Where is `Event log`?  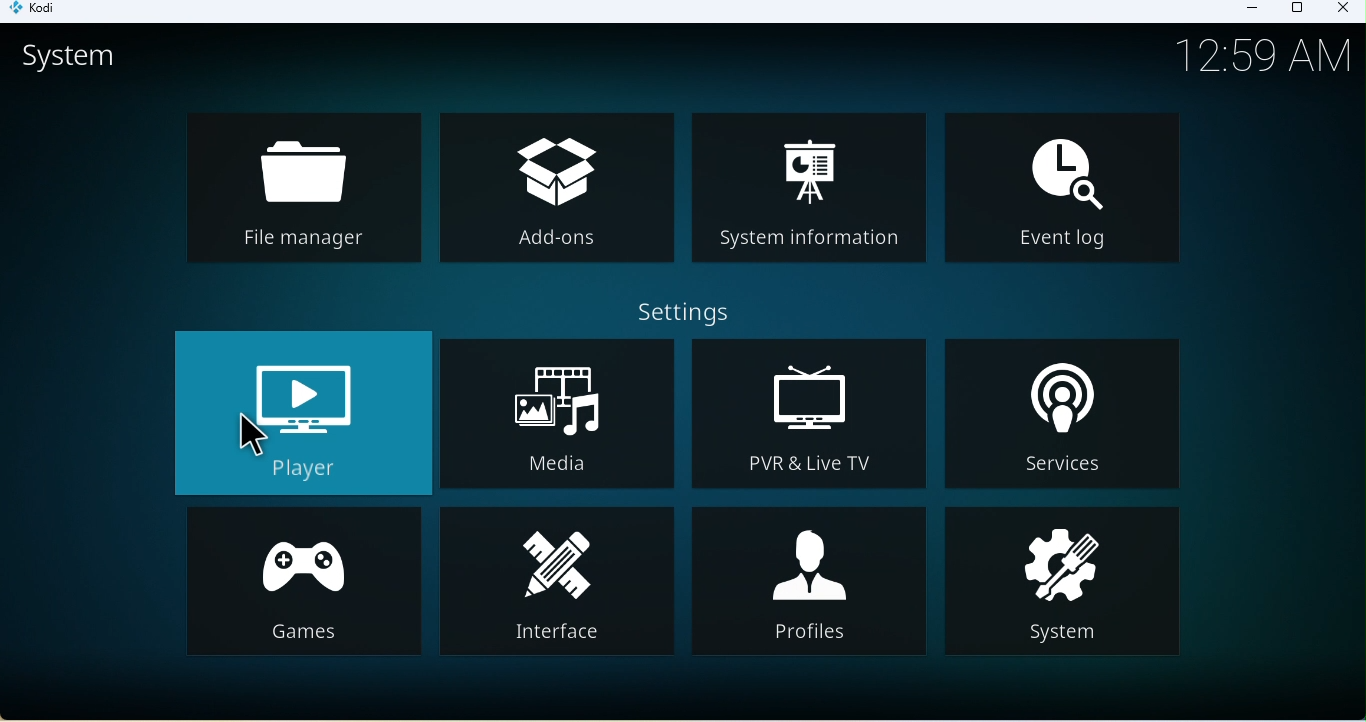
Event log is located at coordinates (1066, 187).